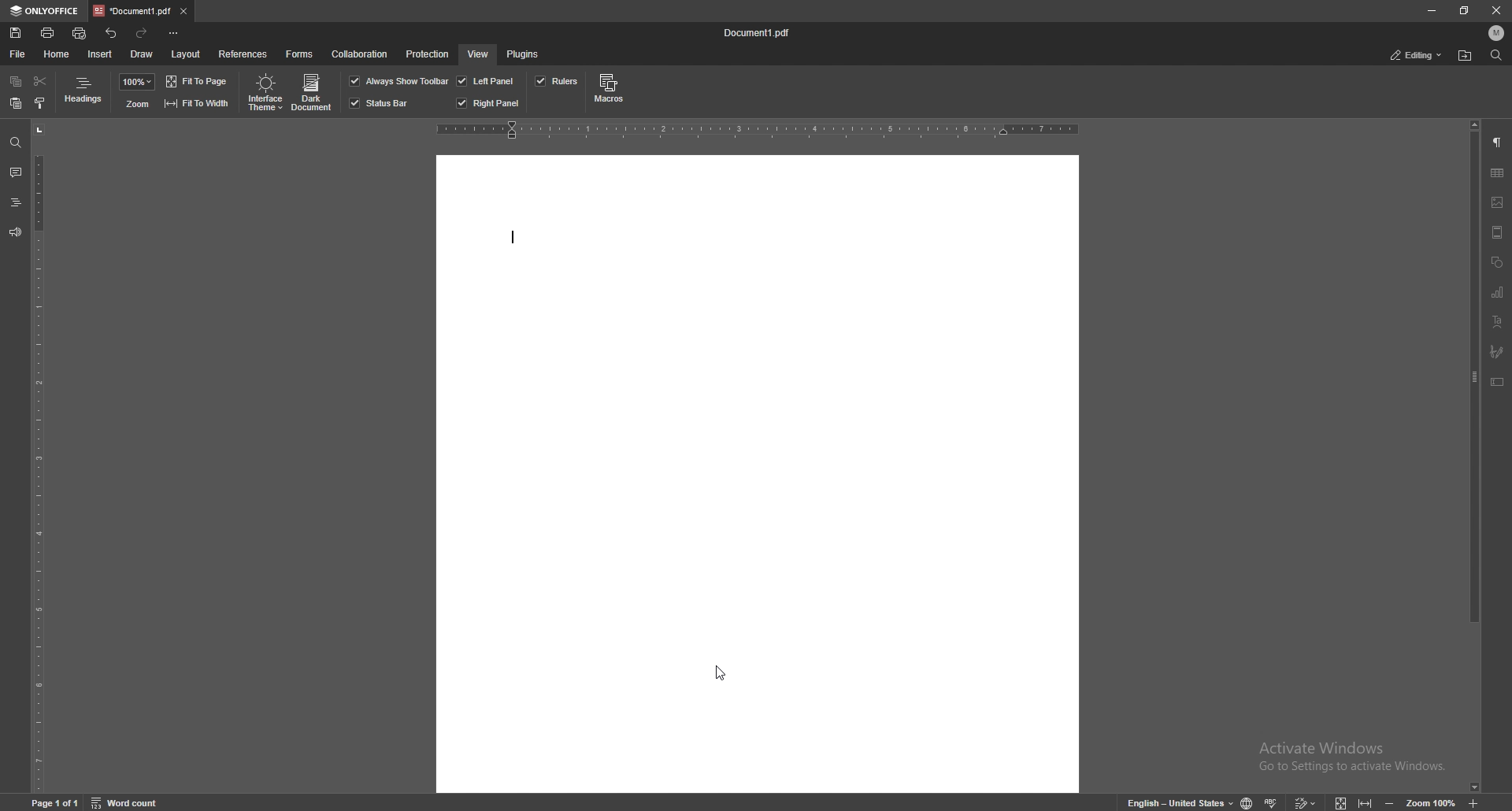 This screenshot has height=811, width=1512. I want to click on fit to width, so click(196, 102).